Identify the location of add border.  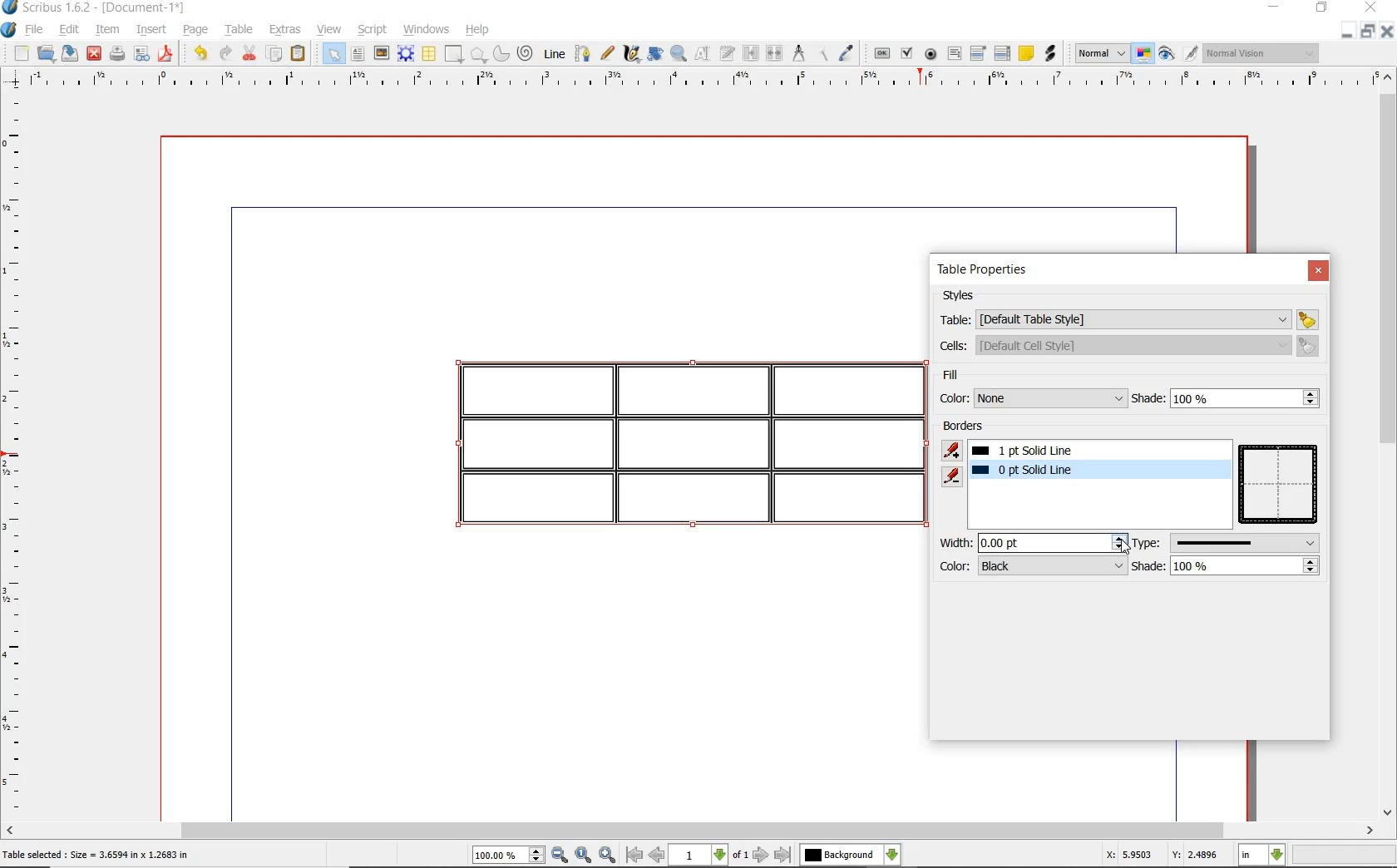
(954, 450).